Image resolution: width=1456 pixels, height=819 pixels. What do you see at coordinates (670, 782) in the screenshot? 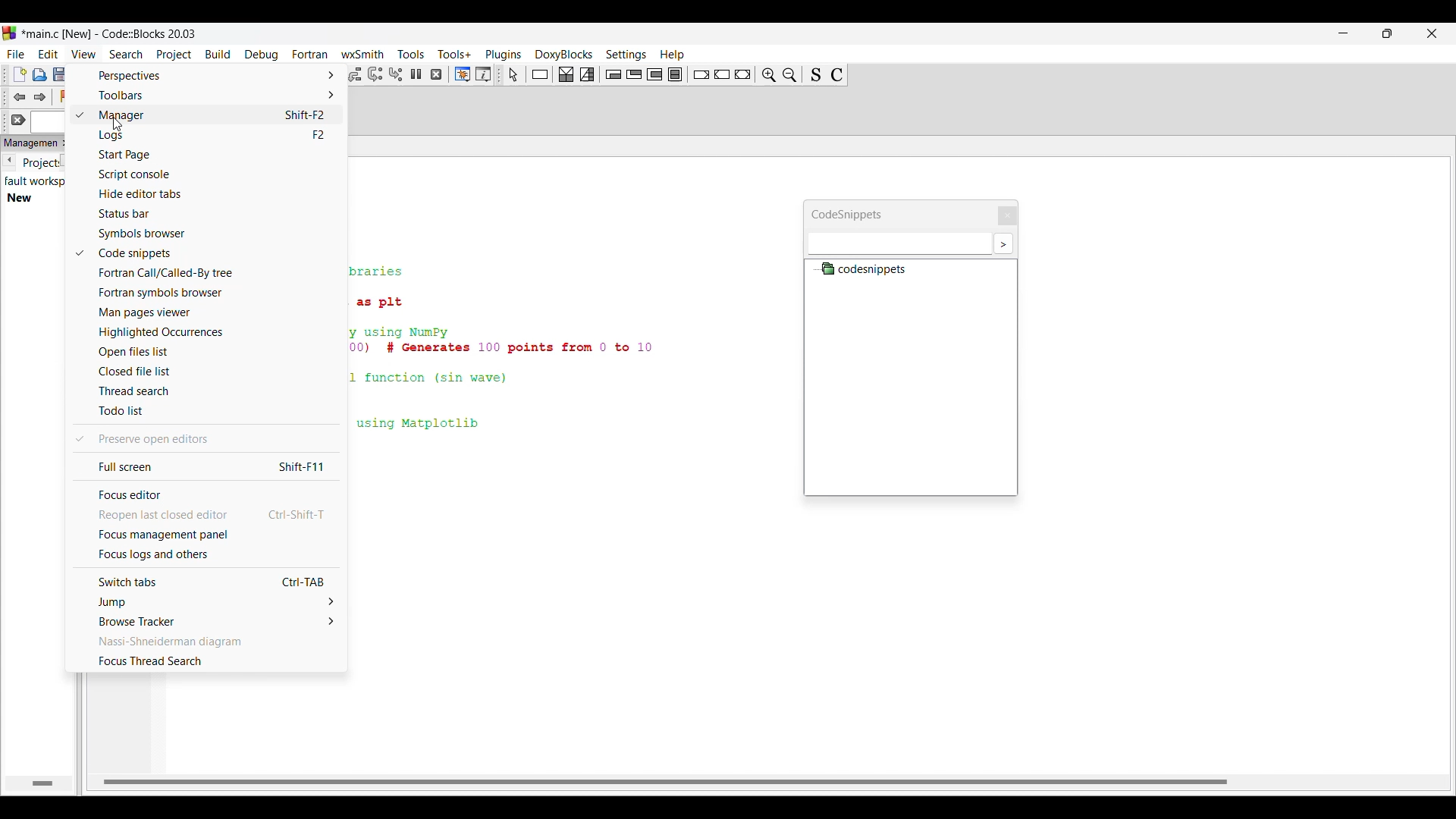
I see `Horizontal slide bar` at bounding box center [670, 782].